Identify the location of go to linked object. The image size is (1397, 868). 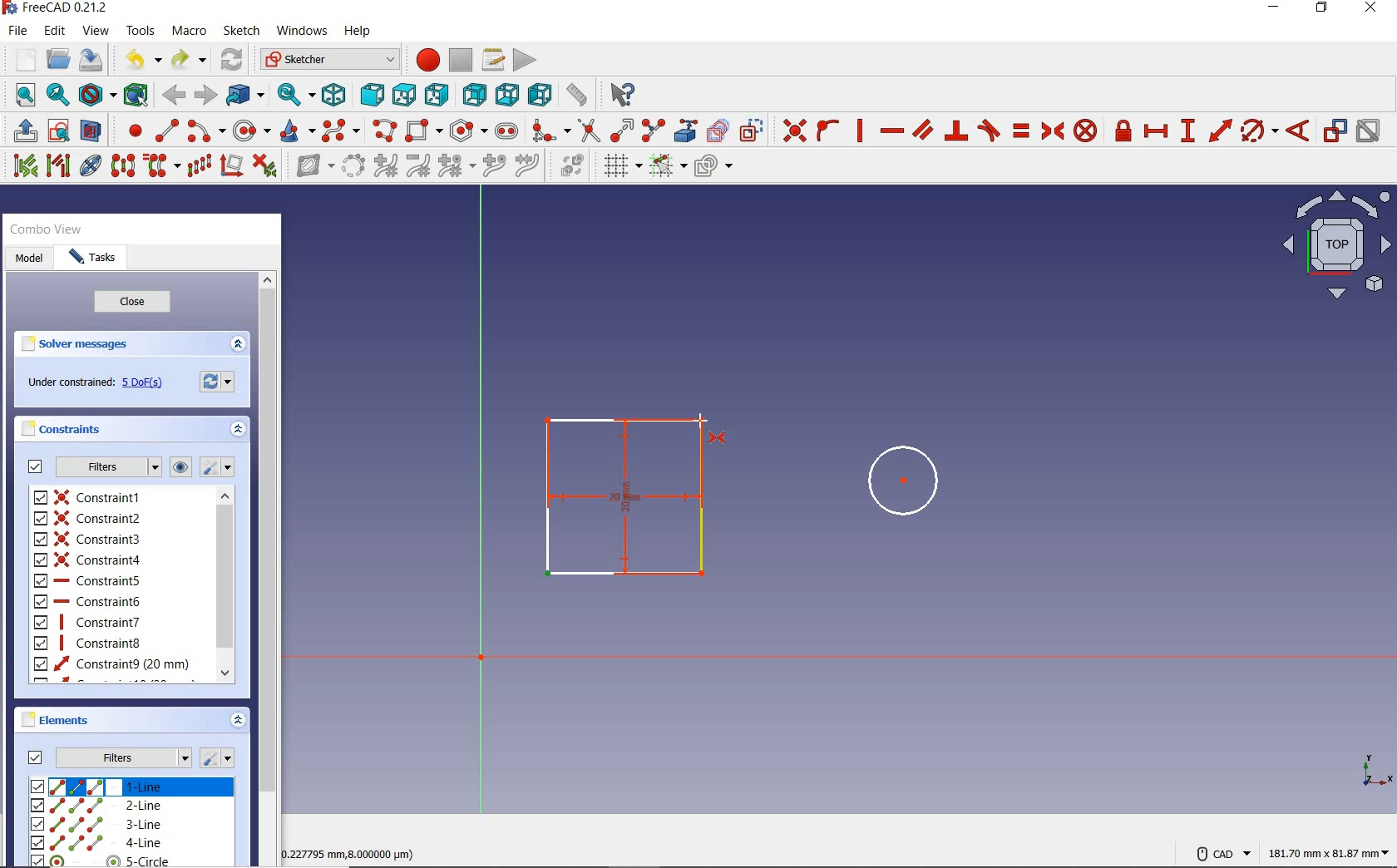
(245, 94).